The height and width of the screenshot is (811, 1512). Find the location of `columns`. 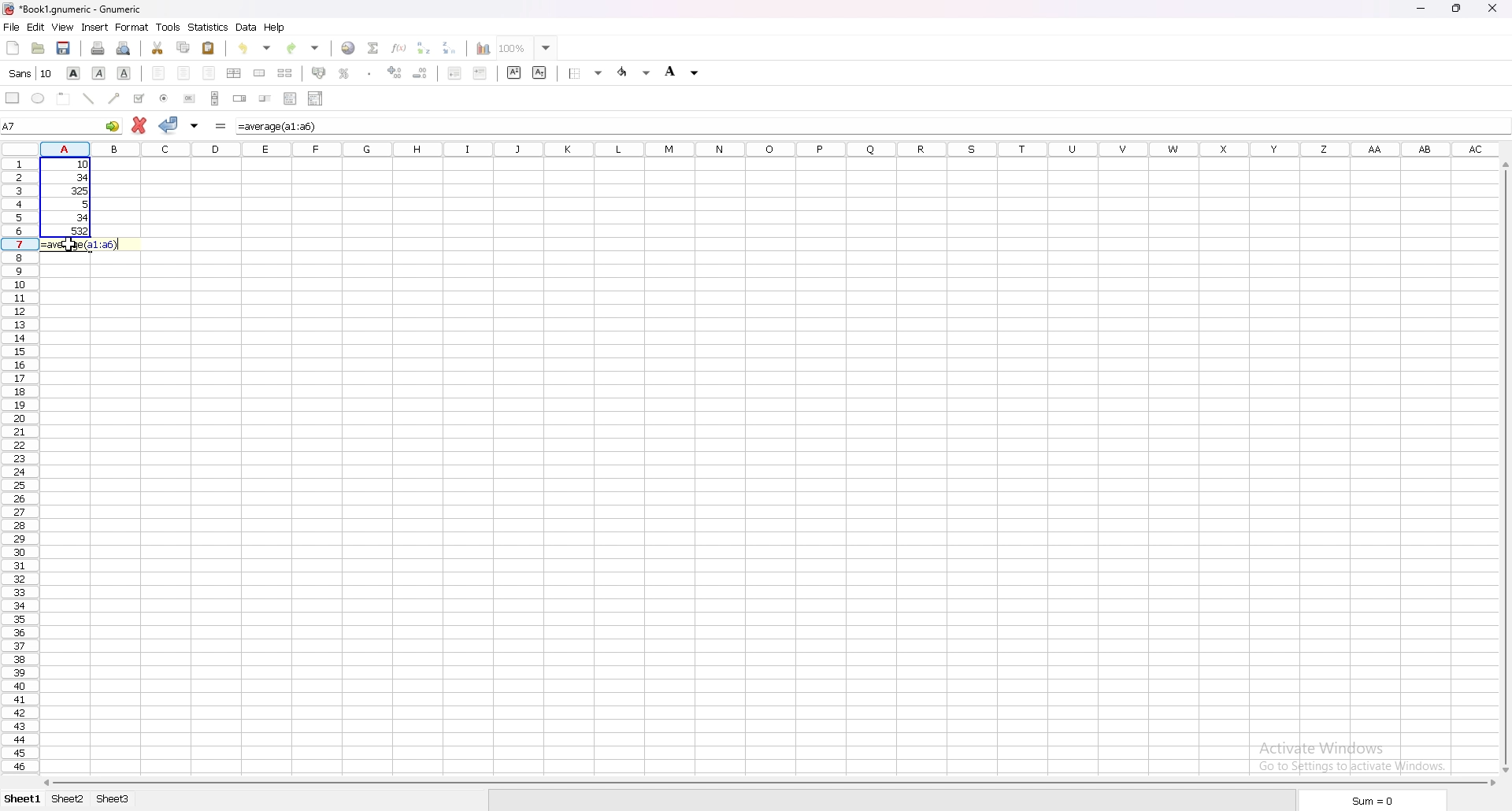

columns is located at coordinates (771, 150).